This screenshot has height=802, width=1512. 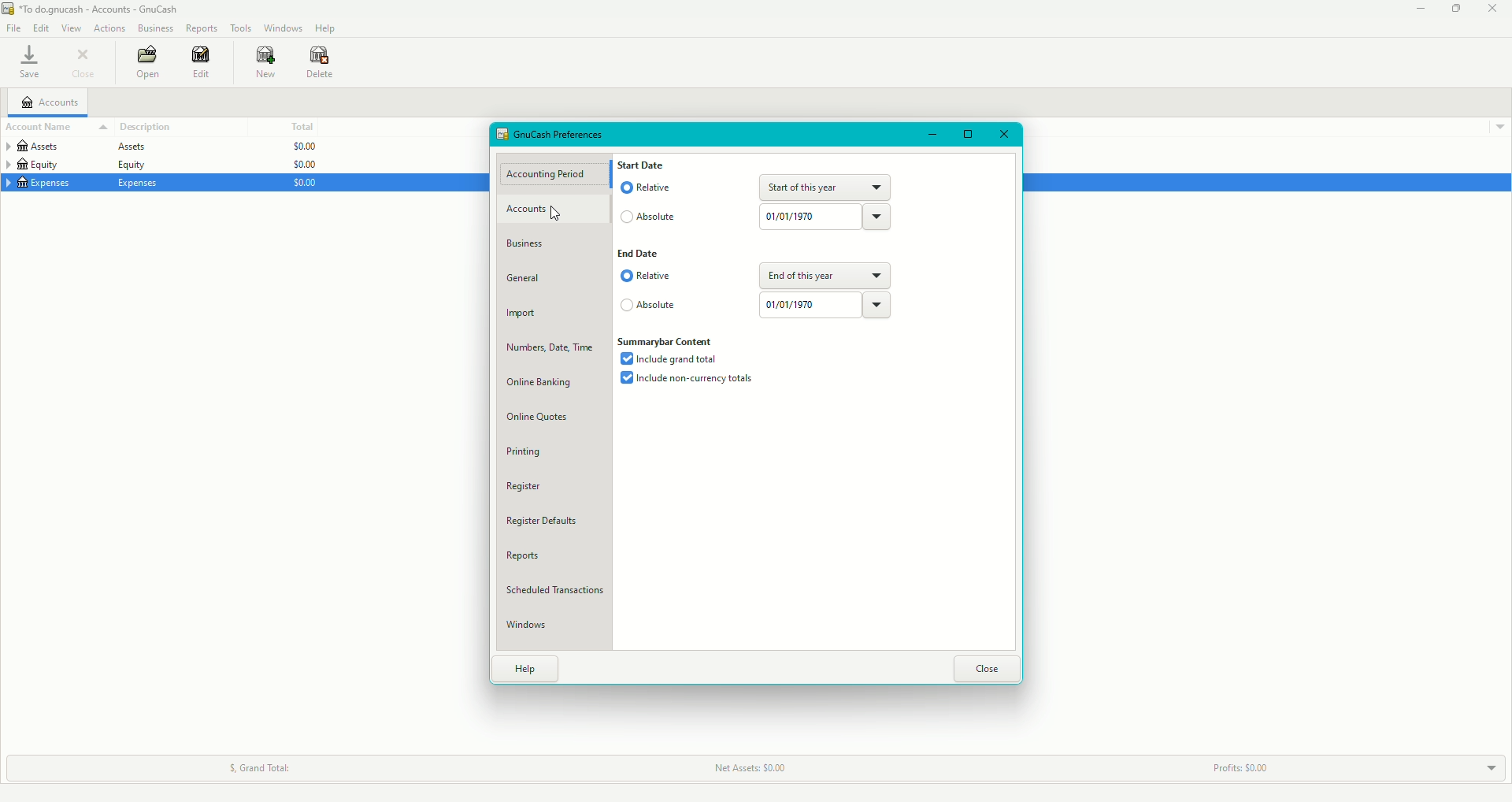 I want to click on Close, so click(x=984, y=668).